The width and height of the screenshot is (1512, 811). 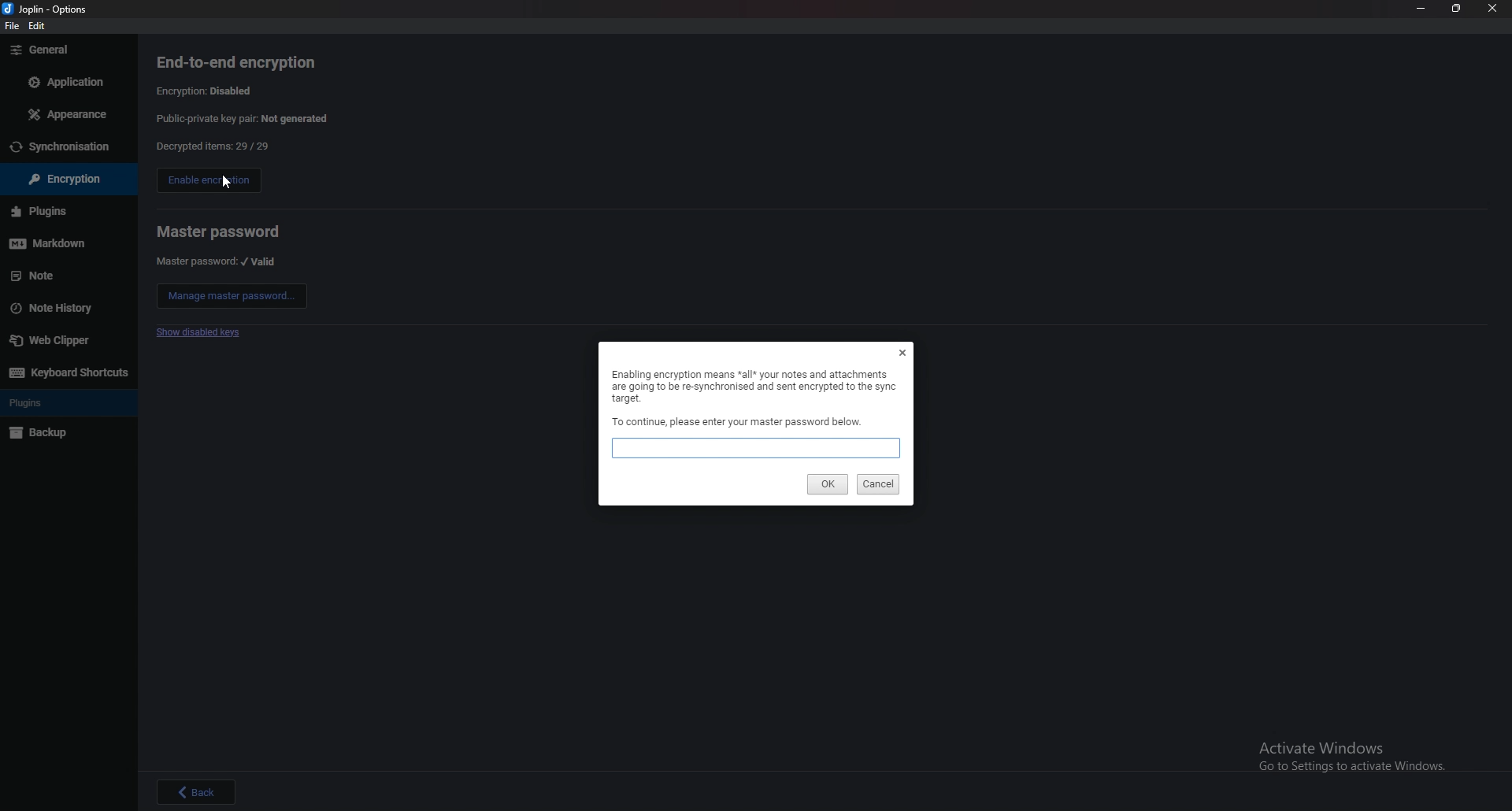 I want to click on end to end encryption, so click(x=239, y=61).